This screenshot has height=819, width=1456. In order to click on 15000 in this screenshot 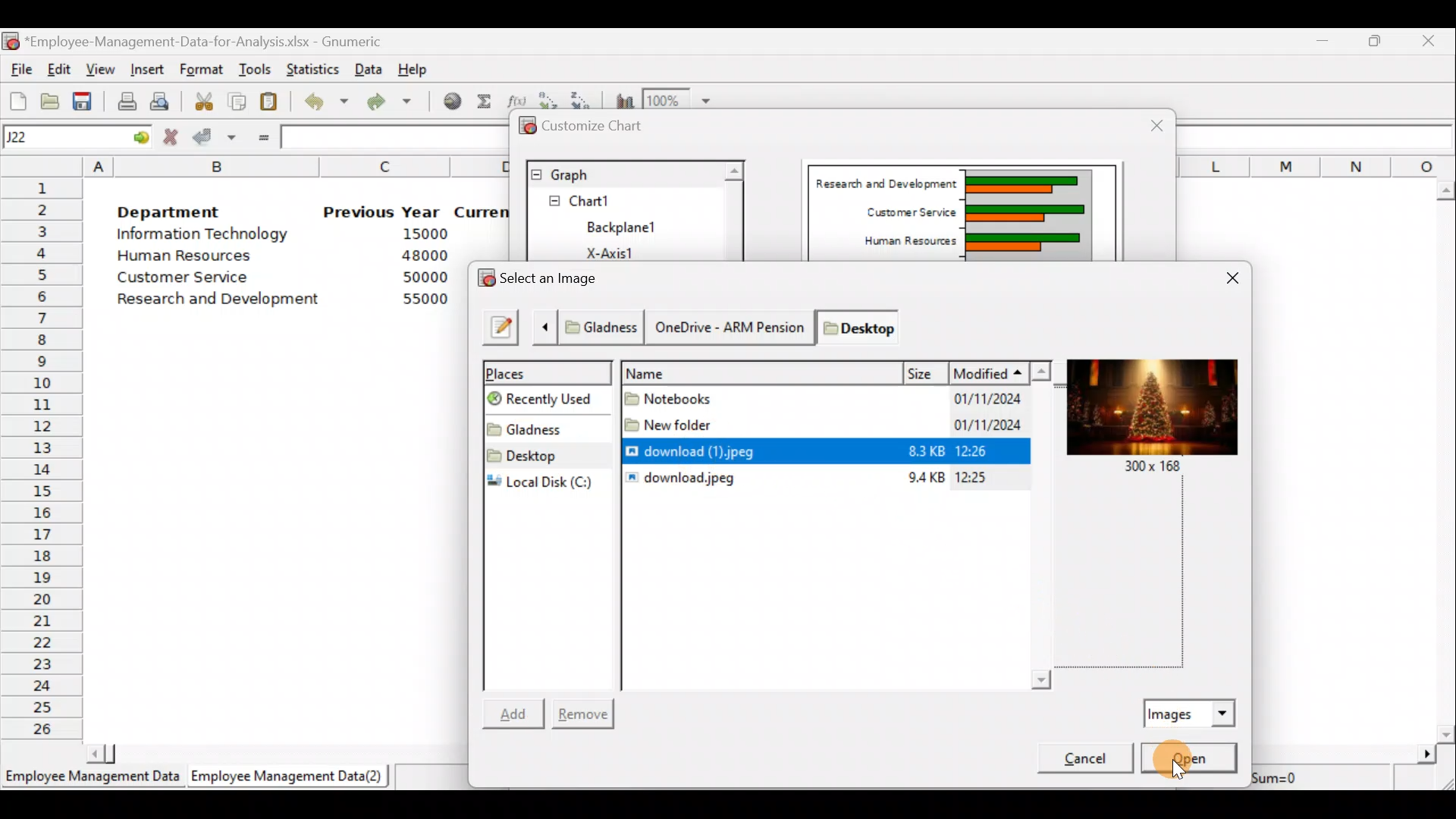, I will do `click(420, 237)`.